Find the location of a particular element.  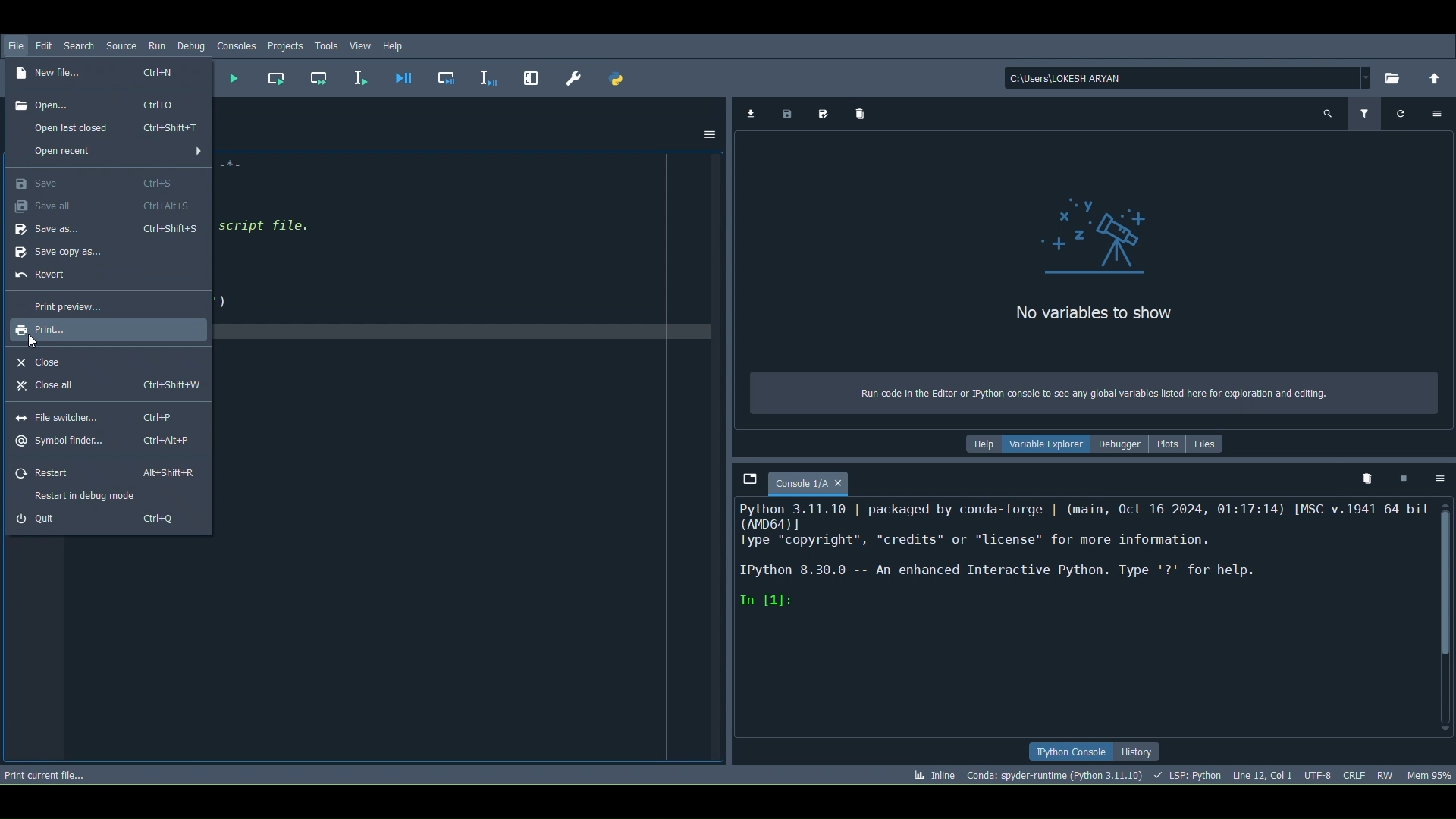

Save data is located at coordinates (790, 114).